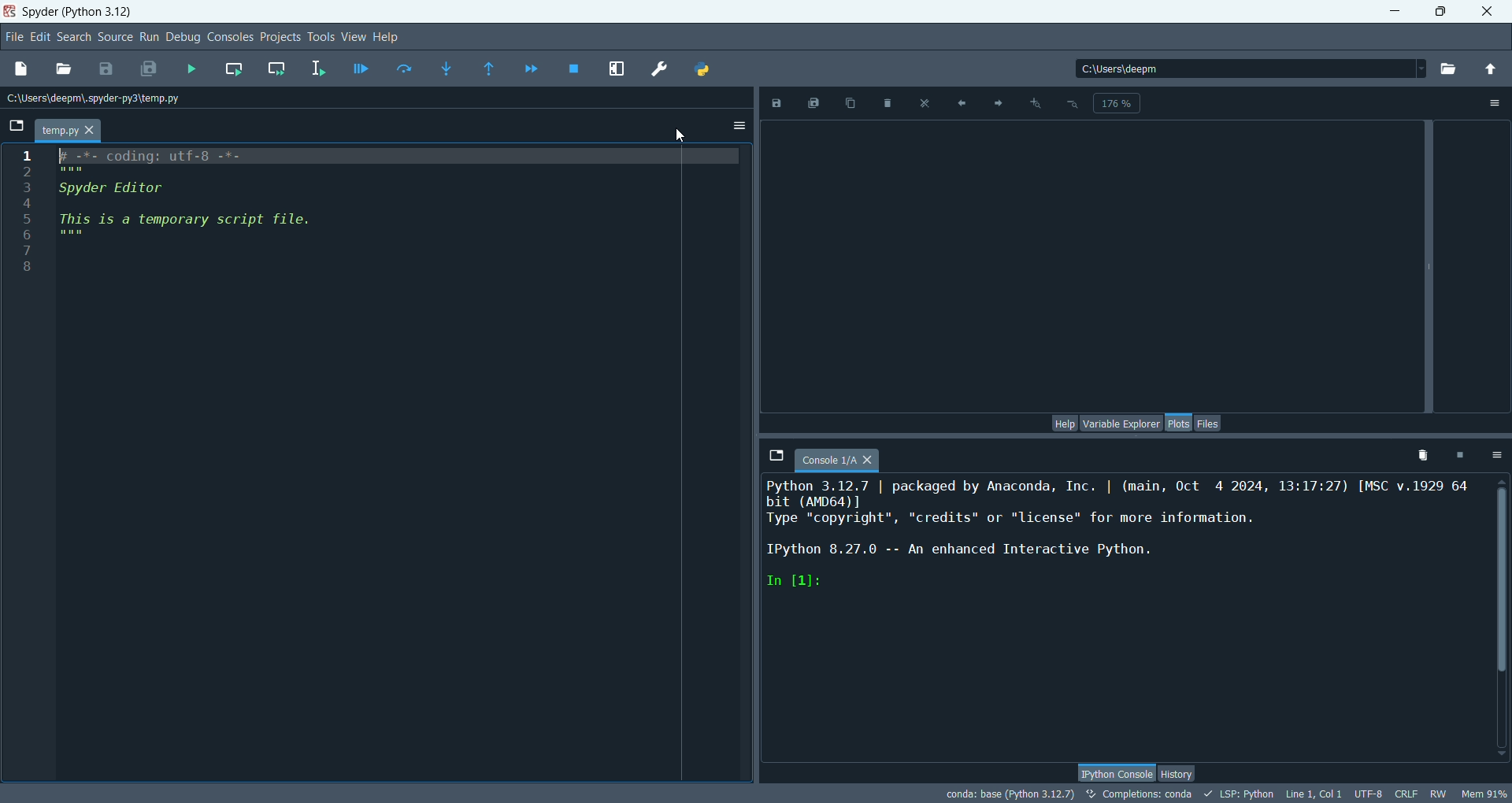 This screenshot has height=803, width=1512. I want to click on new, so click(22, 68).